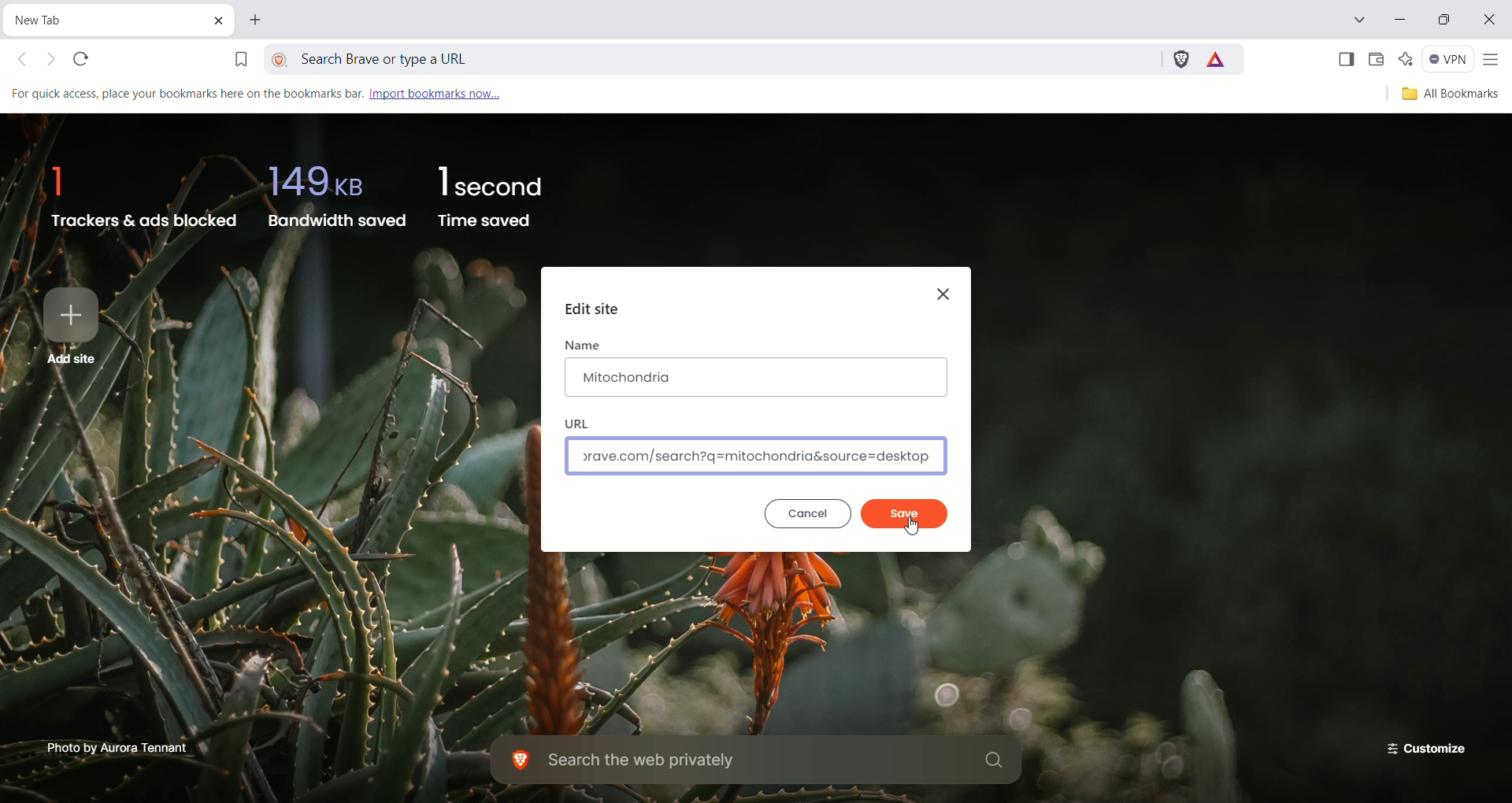 The image size is (1512, 803). I want to click on current tab, so click(106, 18).